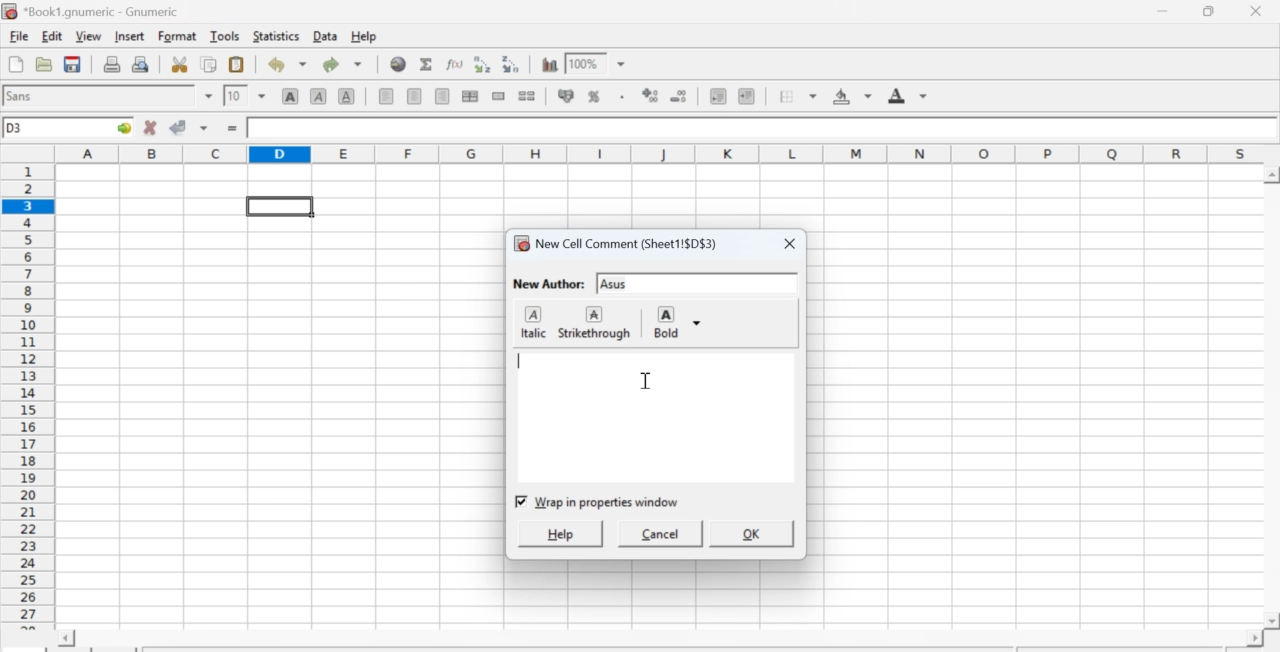 The height and width of the screenshot is (652, 1280). Describe the element at coordinates (512, 66) in the screenshot. I see `Sort descending` at that location.